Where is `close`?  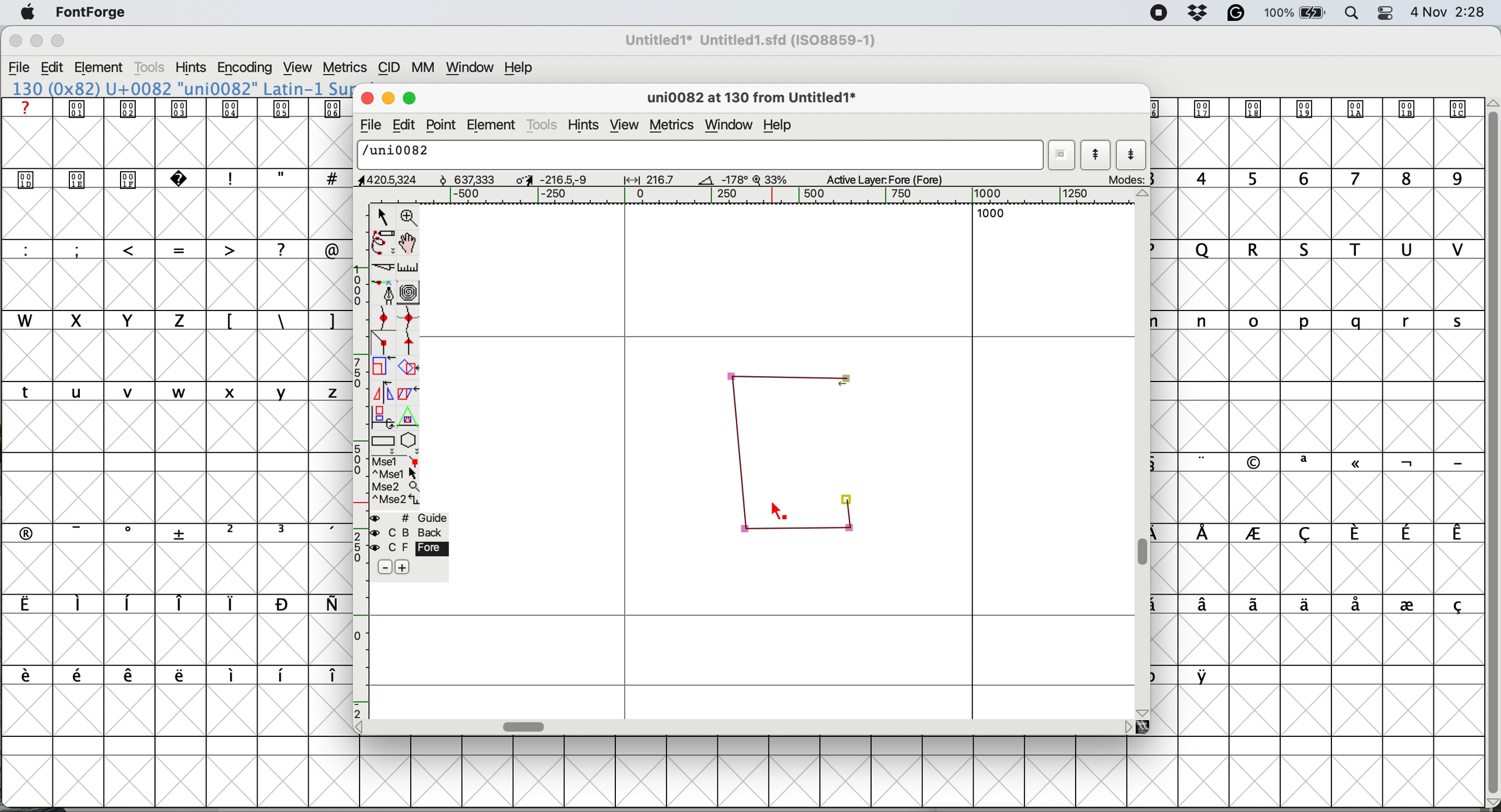
close is located at coordinates (15, 41).